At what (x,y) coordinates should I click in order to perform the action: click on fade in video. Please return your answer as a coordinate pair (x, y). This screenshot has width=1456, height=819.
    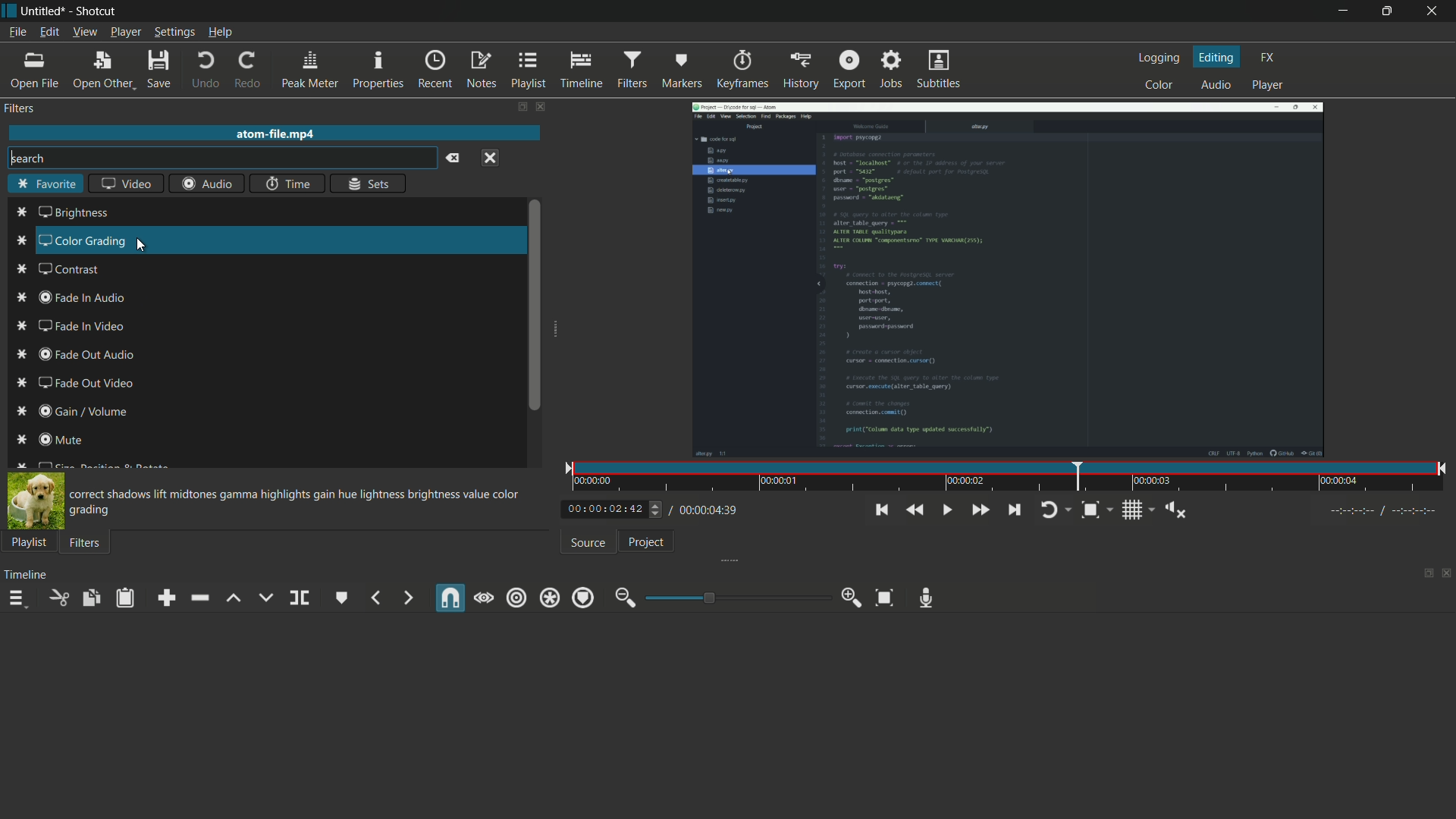
    Looking at the image, I should click on (81, 328).